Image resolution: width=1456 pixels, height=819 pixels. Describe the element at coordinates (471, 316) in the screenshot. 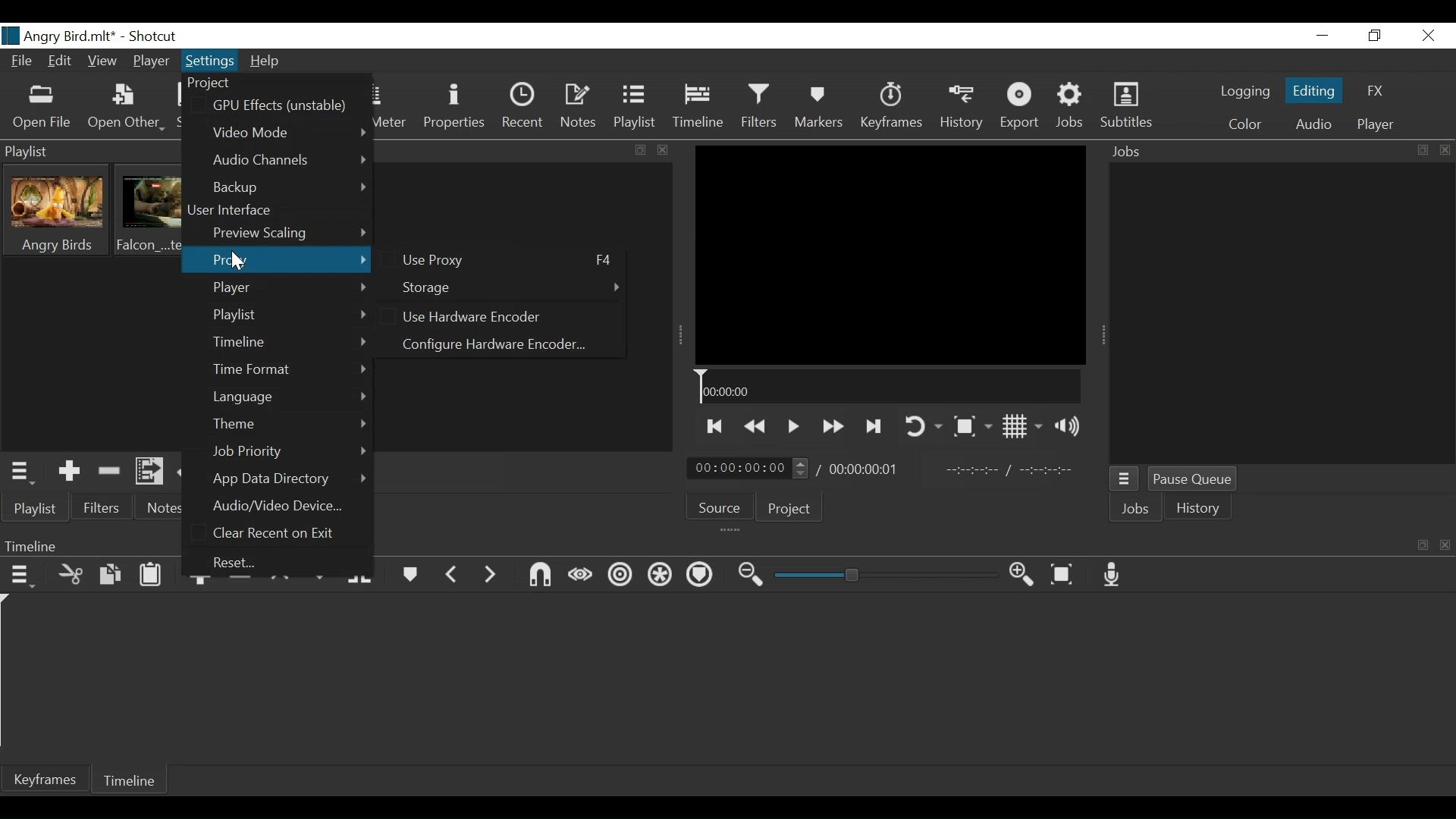

I see `(un)select Use Hardware Encoder` at that location.